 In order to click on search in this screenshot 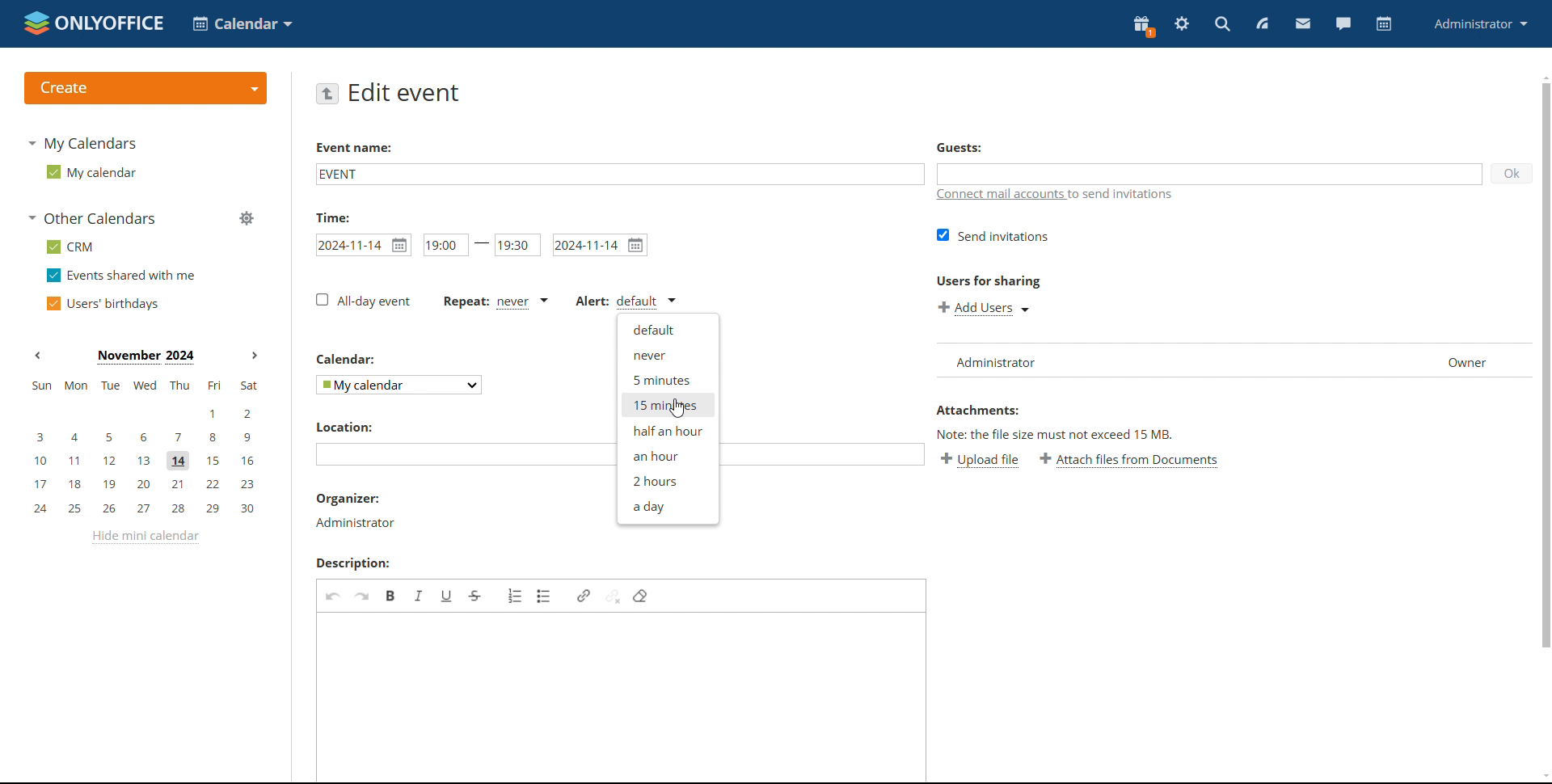, I will do `click(1221, 23)`.